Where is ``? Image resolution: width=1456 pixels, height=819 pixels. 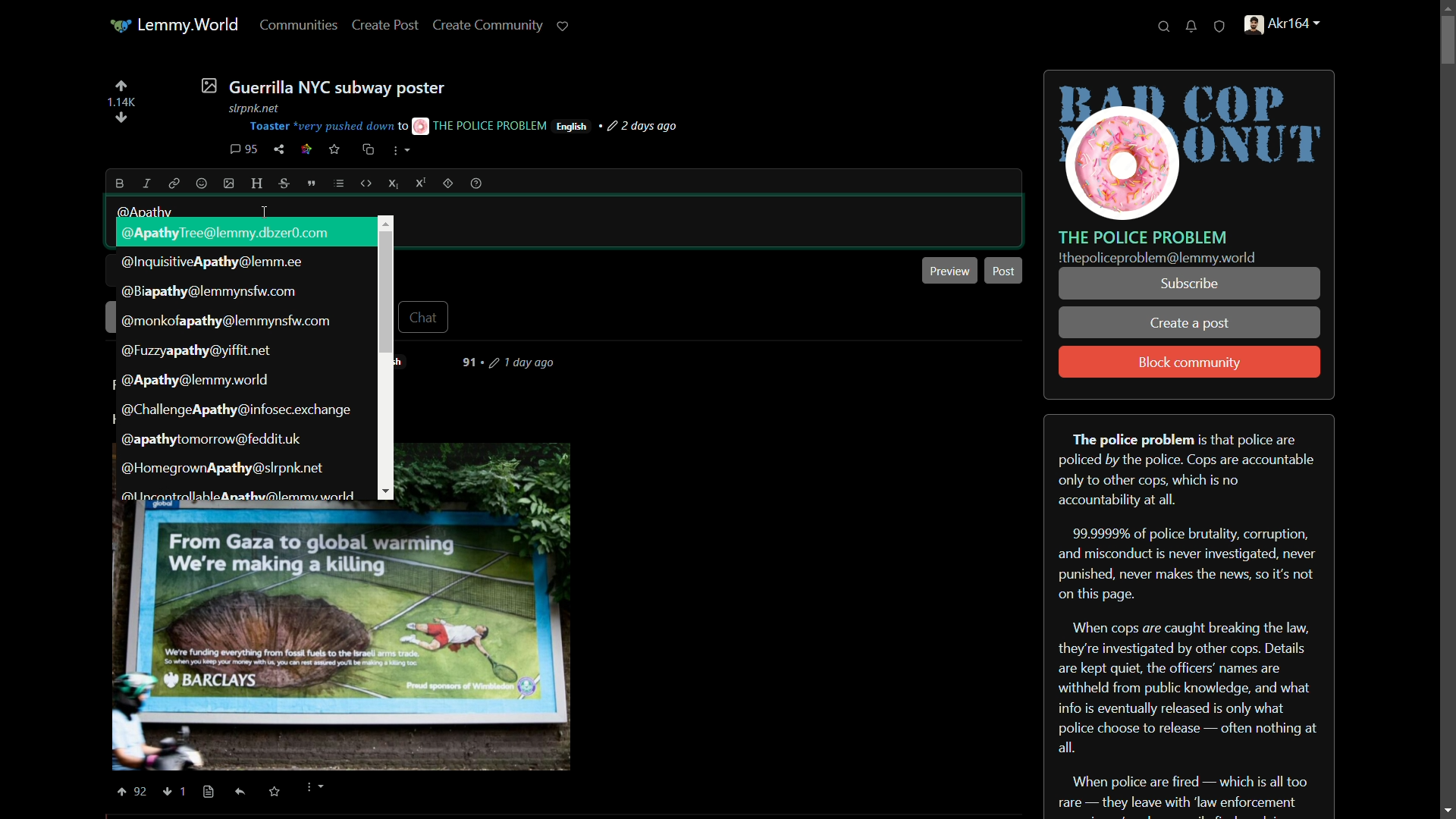
 is located at coordinates (189, 789).